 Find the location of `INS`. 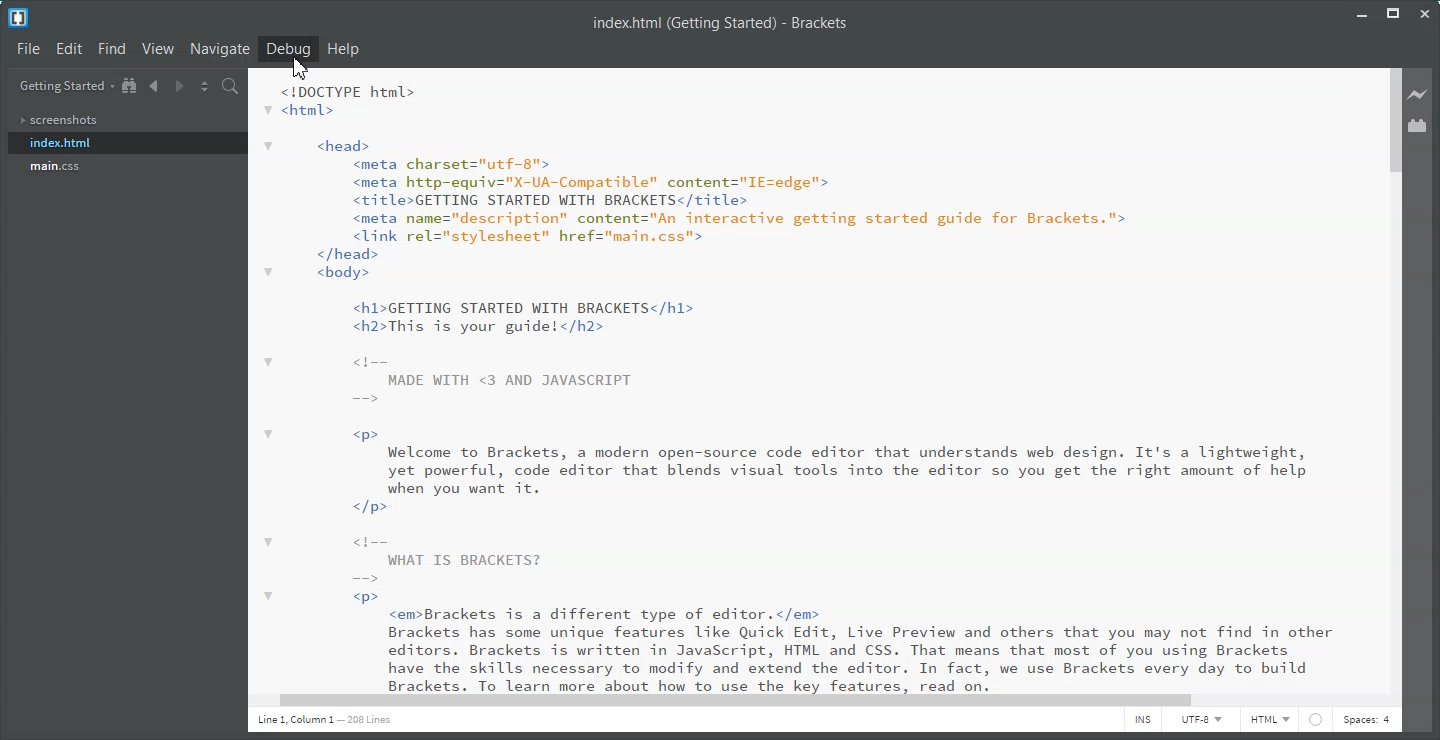

INS is located at coordinates (1143, 721).